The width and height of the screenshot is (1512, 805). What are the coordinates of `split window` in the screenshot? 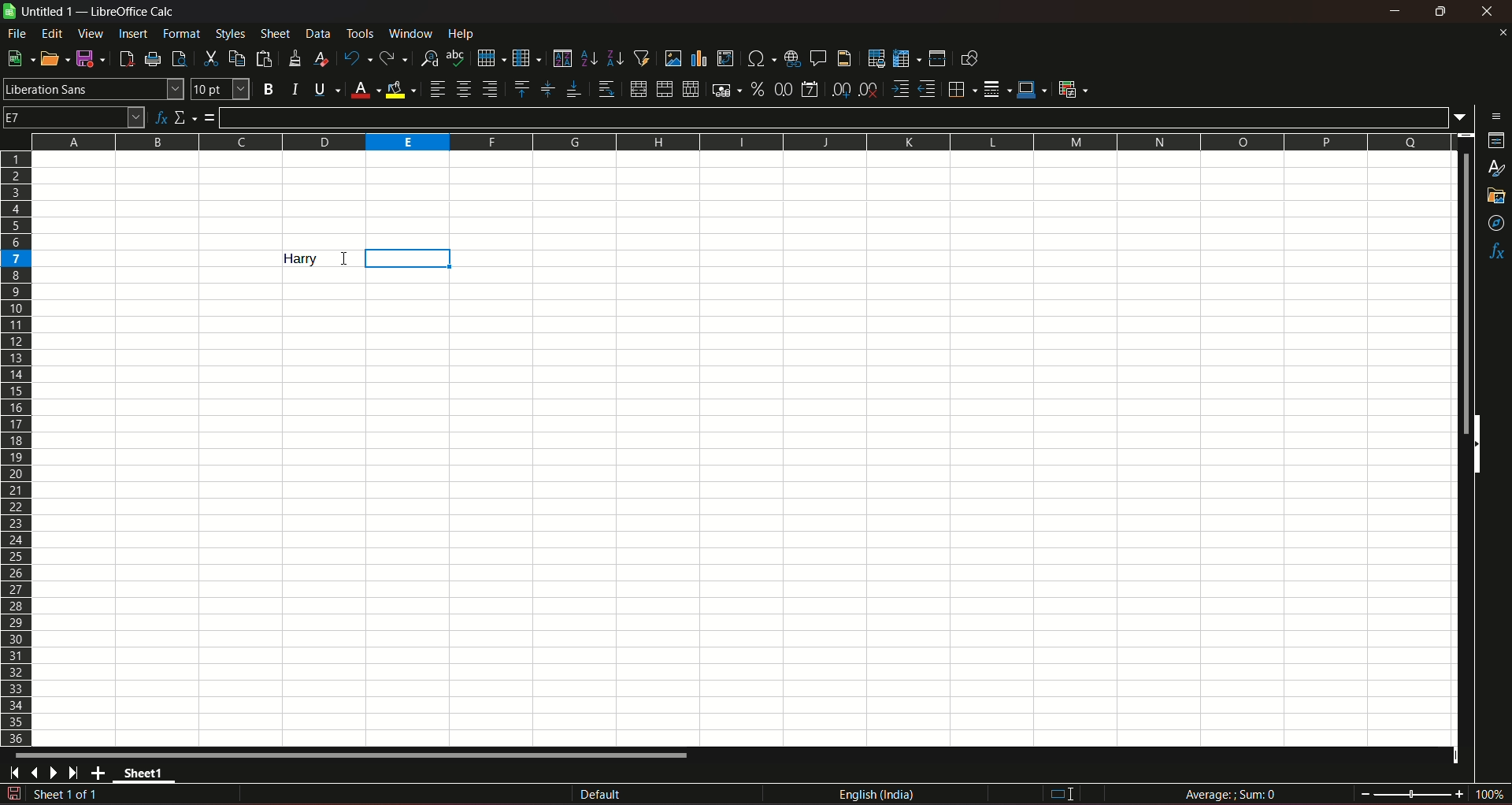 It's located at (937, 58).